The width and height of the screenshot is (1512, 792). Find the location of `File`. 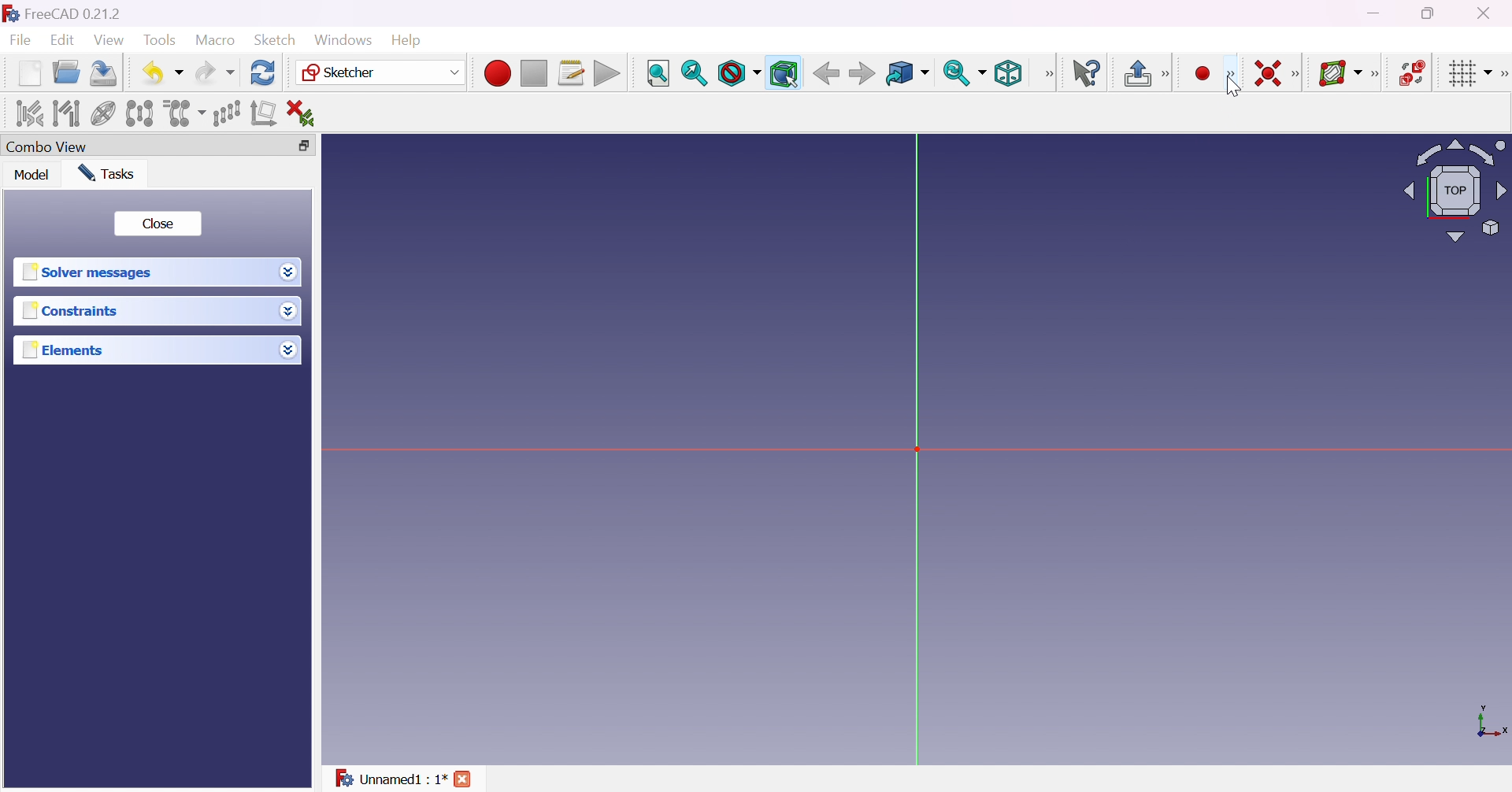

File is located at coordinates (22, 42).